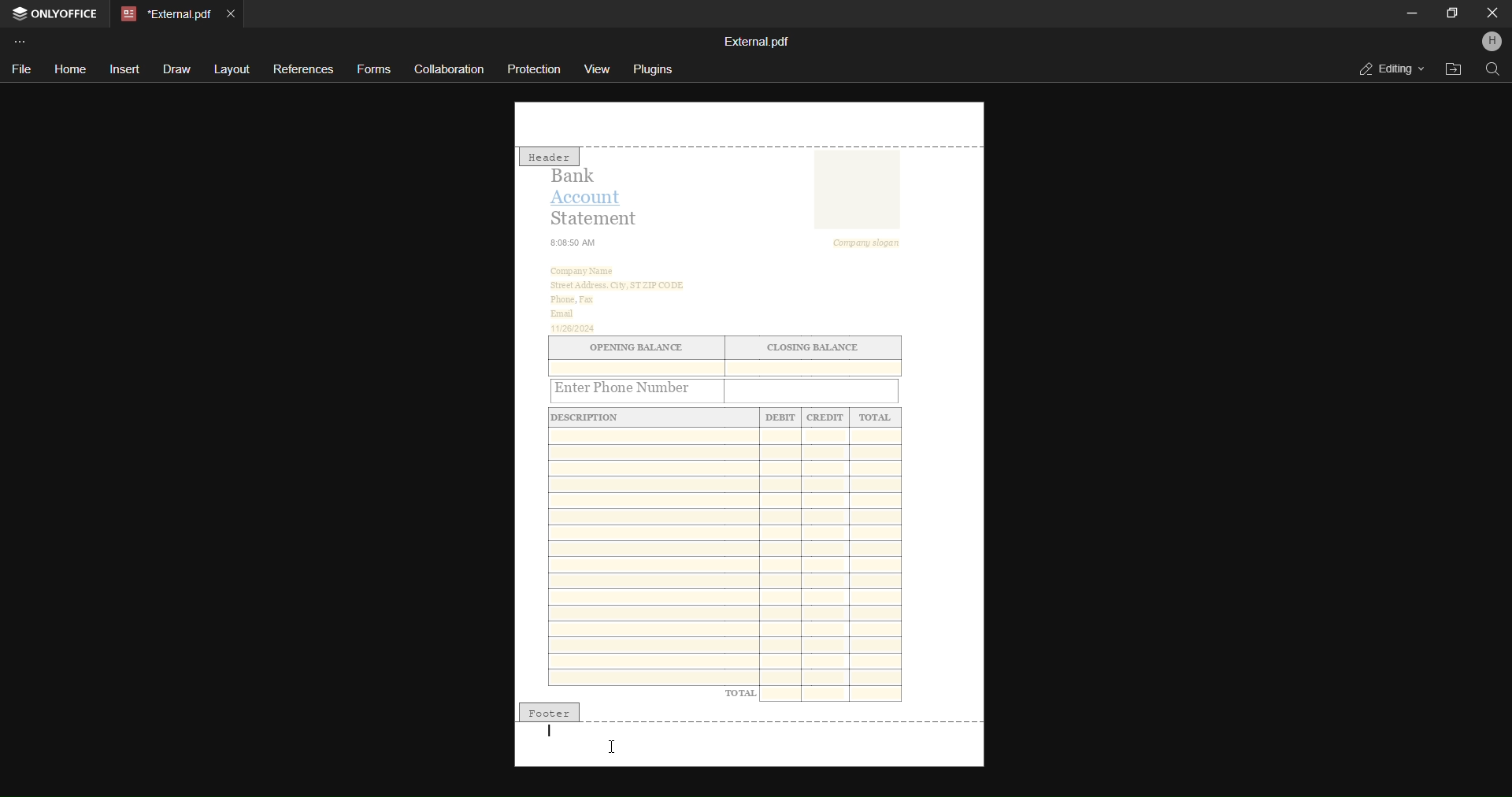  I want to click on Company slogan, so click(872, 243).